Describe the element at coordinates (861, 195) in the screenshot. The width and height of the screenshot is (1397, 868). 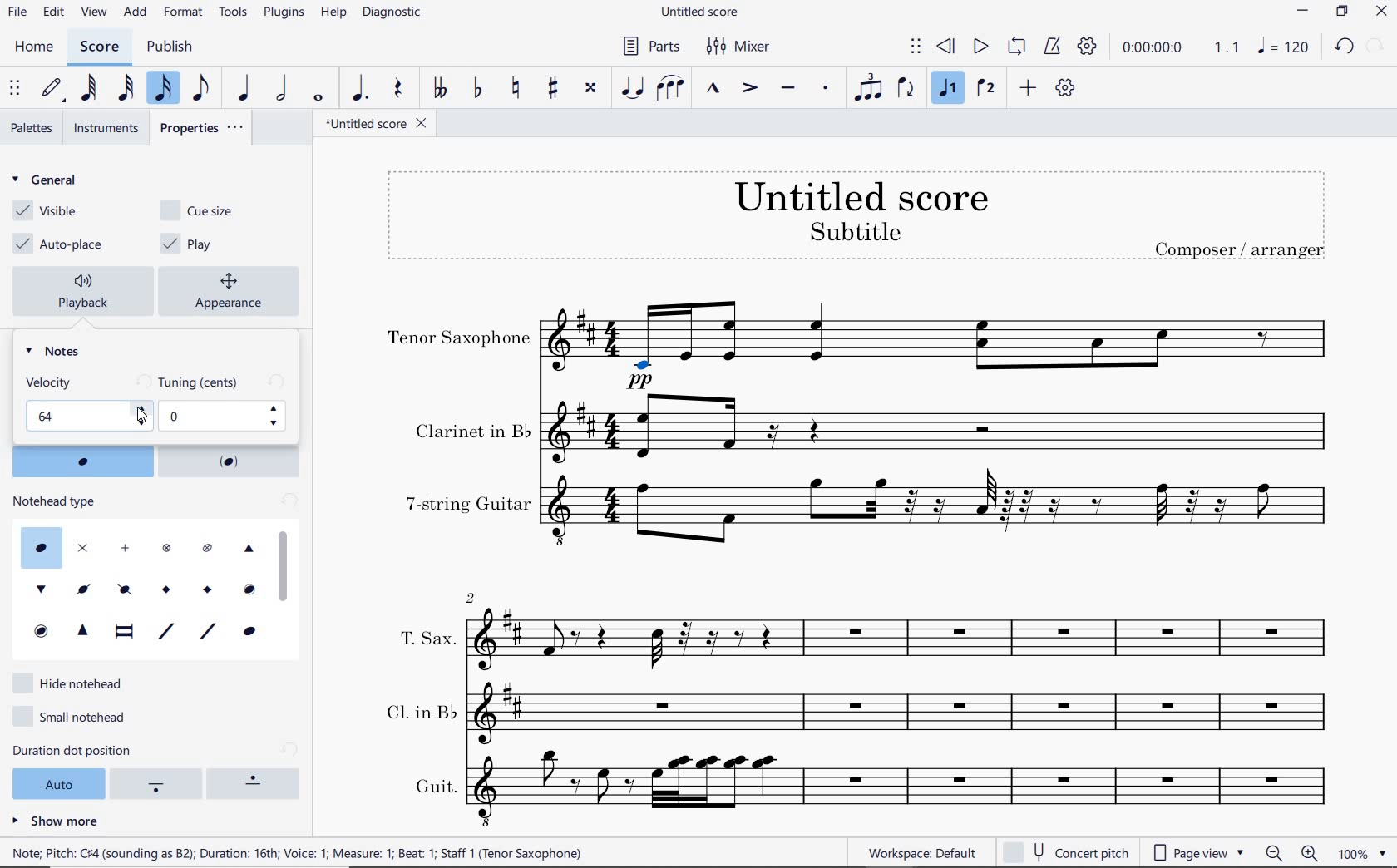
I see `text` at that location.